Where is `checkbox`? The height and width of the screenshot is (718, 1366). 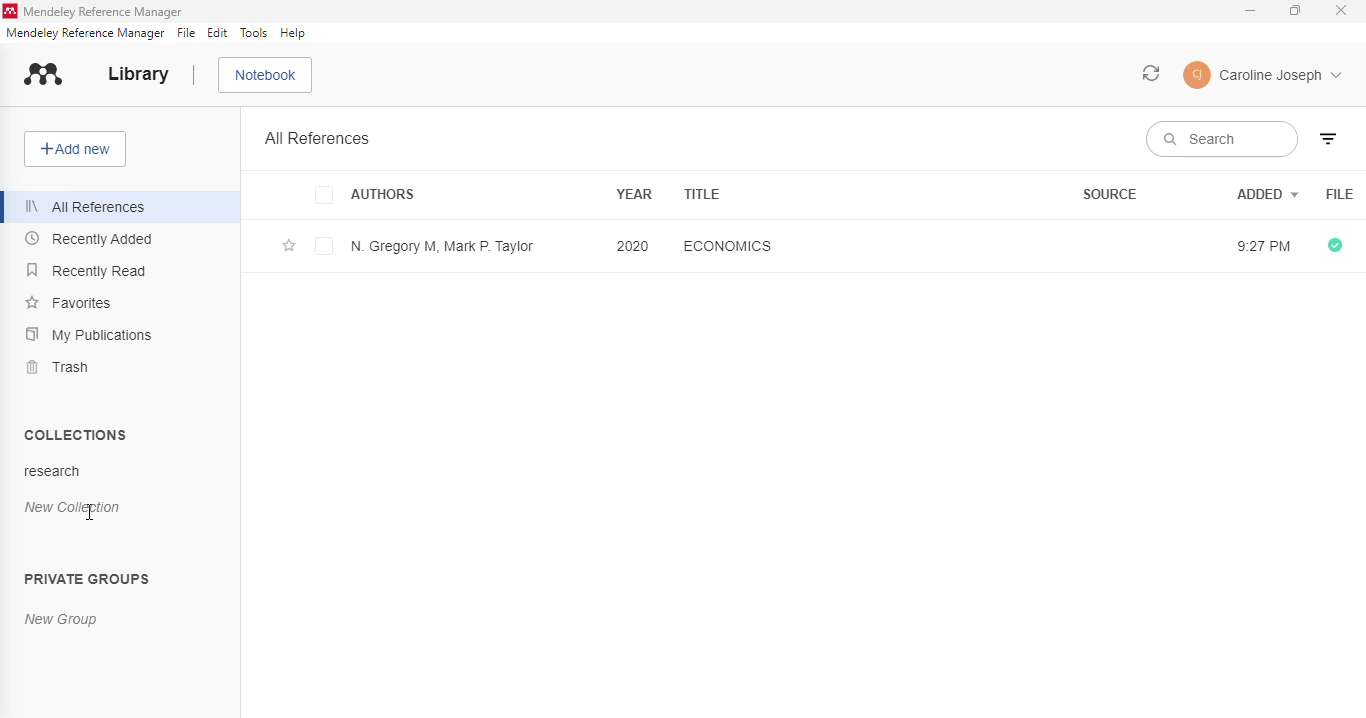 checkbox is located at coordinates (325, 246).